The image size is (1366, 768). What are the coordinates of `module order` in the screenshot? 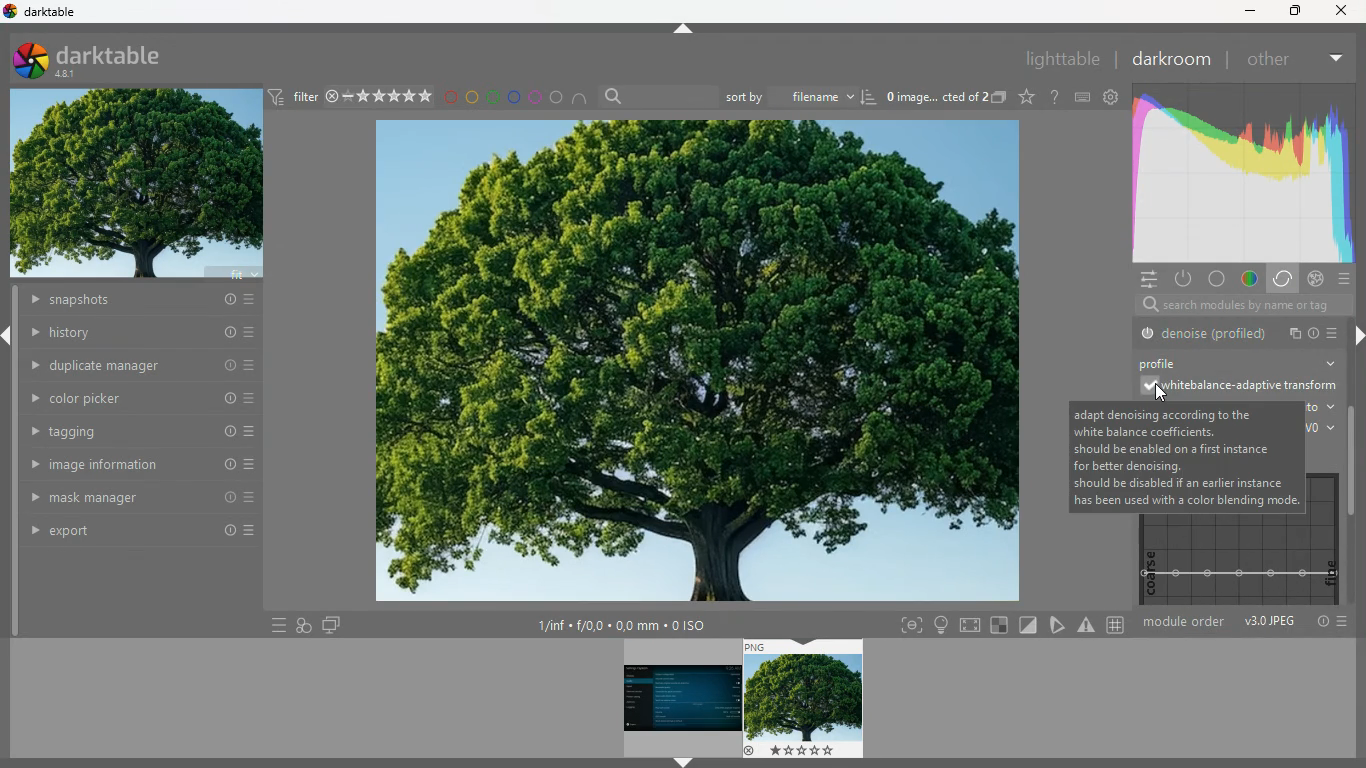 It's located at (1186, 624).